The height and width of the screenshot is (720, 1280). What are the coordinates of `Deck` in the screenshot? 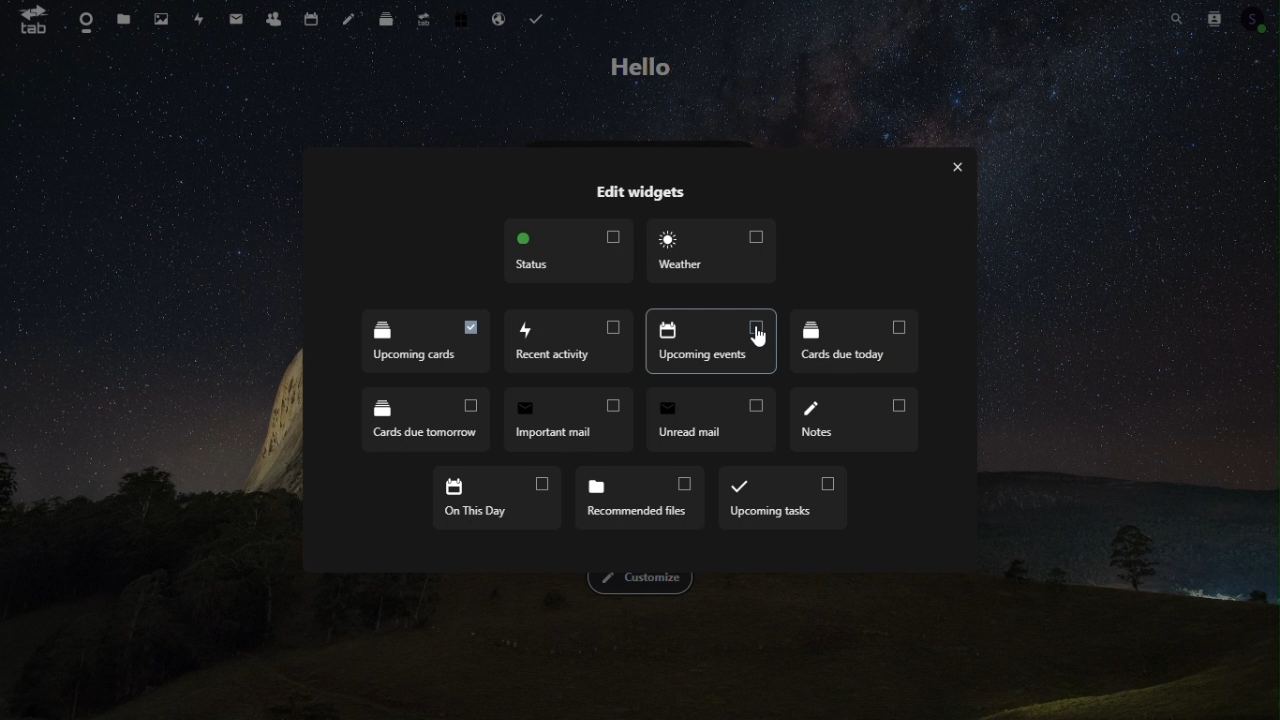 It's located at (389, 16).